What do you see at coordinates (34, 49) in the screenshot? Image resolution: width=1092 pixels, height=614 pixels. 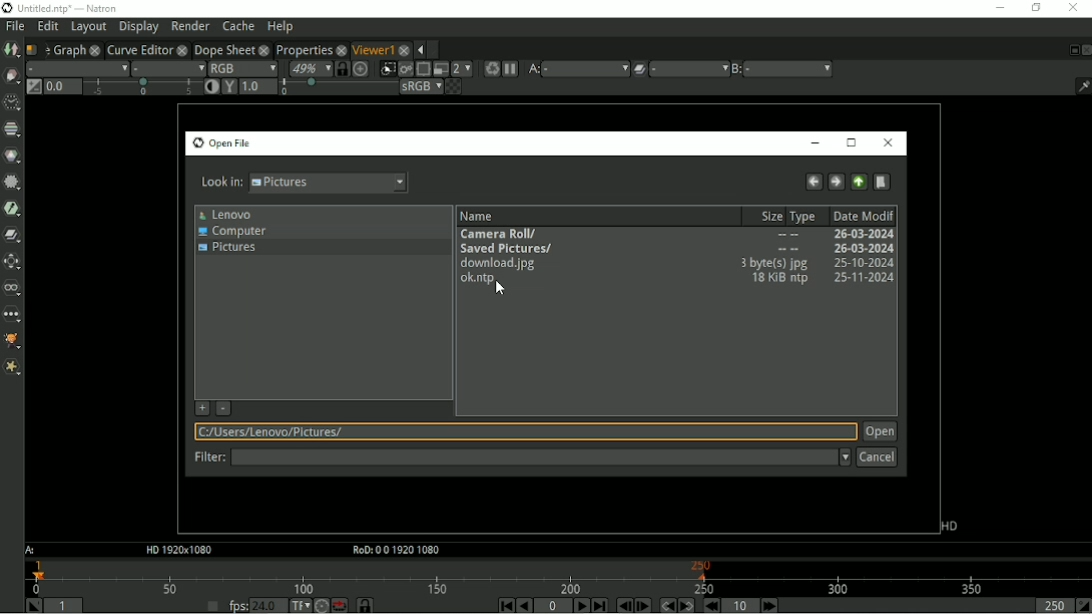 I see `Script name` at bounding box center [34, 49].